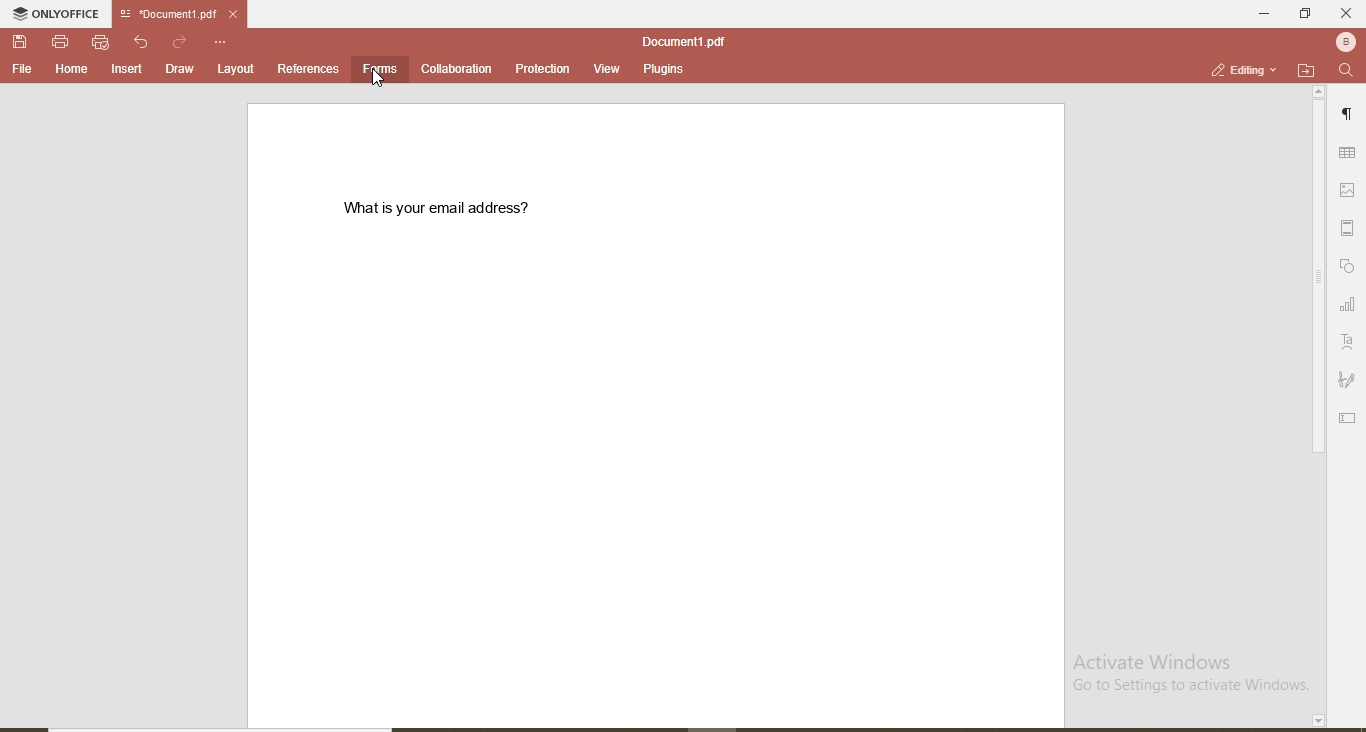 Image resolution: width=1366 pixels, height=732 pixels. Describe the element at coordinates (222, 41) in the screenshot. I see `customise quick access toolbar` at that location.